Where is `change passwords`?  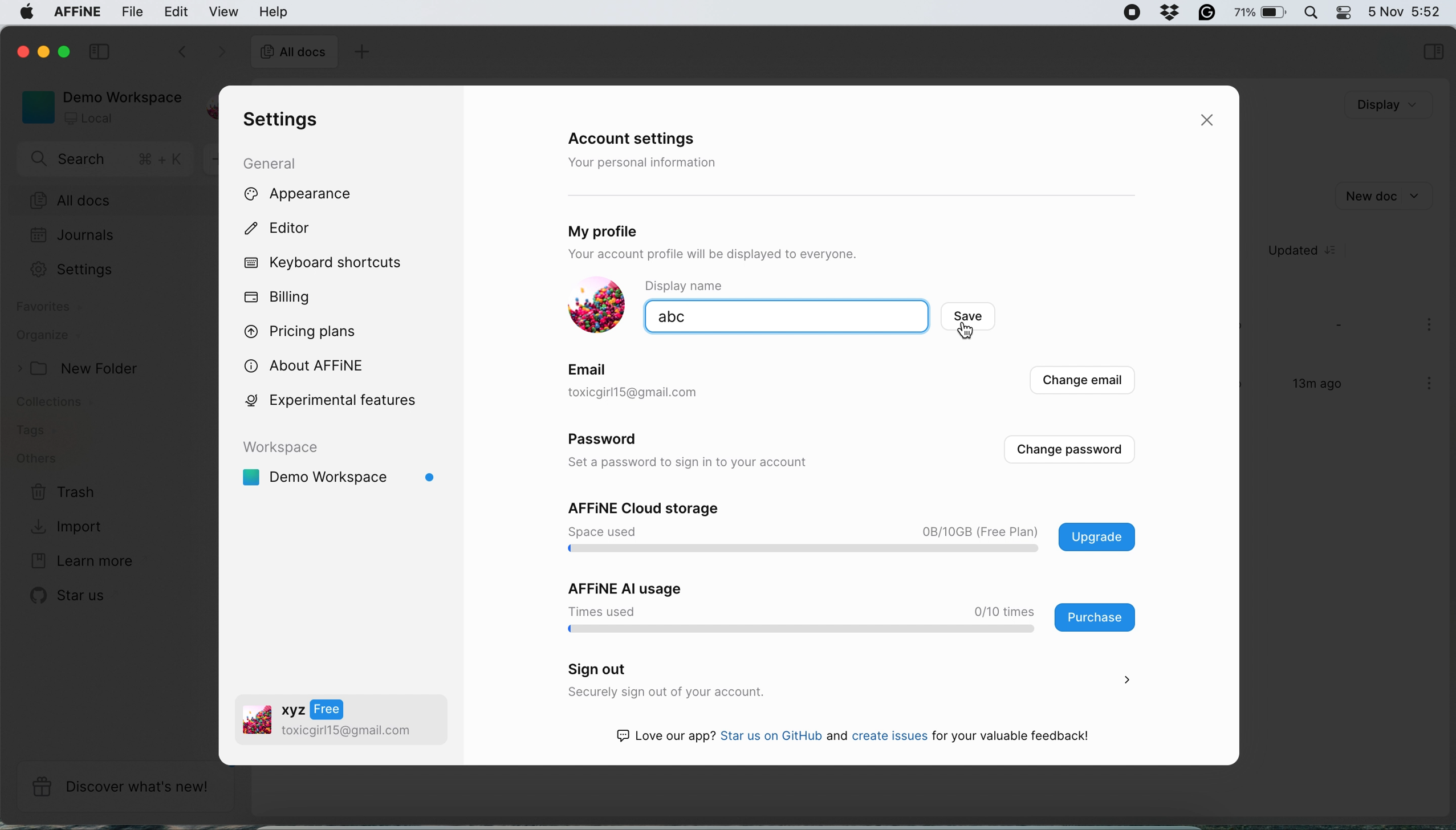 change passwords is located at coordinates (1069, 450).